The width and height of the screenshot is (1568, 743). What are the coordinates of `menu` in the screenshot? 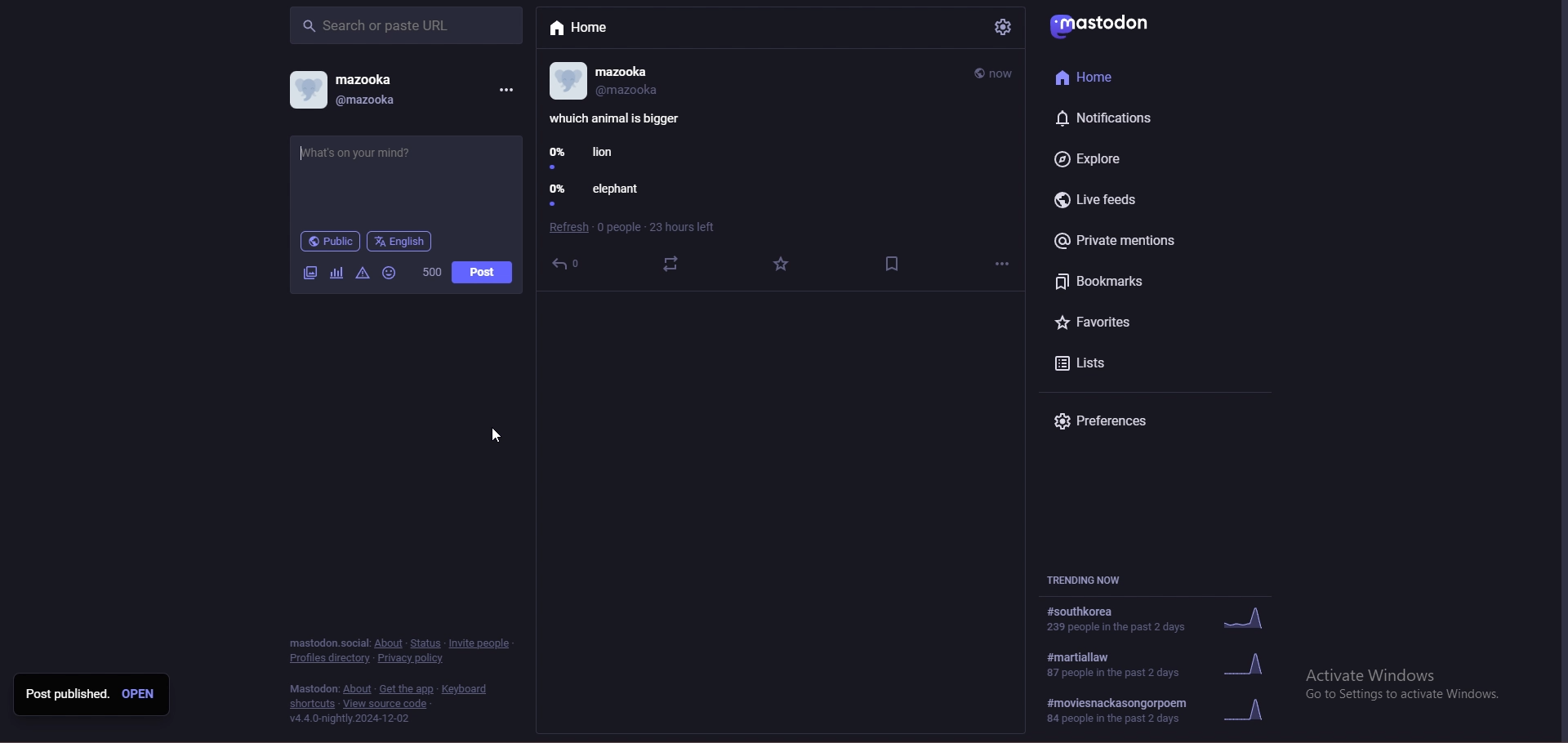 It's located at (506, 88).